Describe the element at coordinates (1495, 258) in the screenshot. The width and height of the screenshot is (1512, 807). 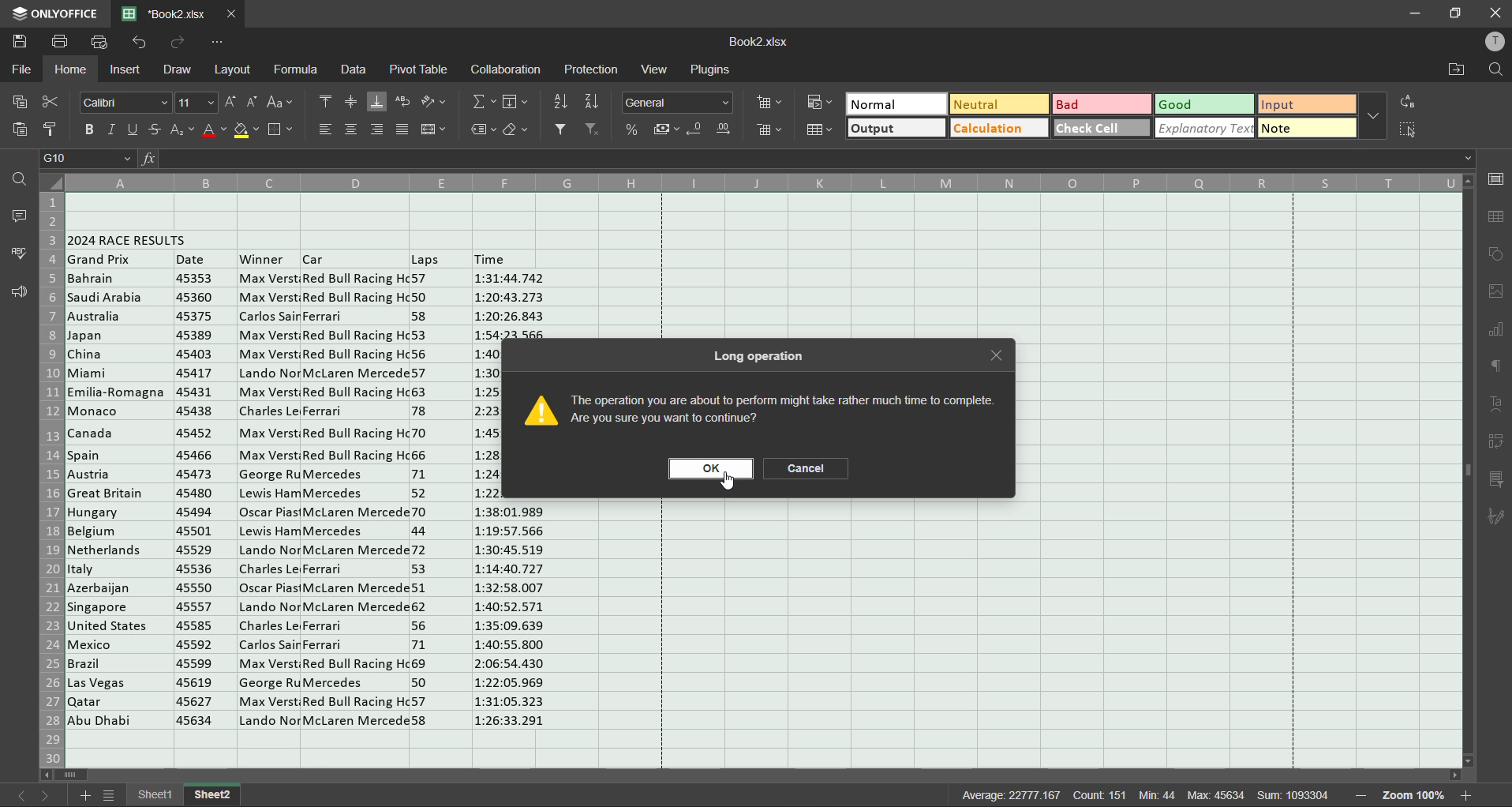
I see `shapes` at that location.